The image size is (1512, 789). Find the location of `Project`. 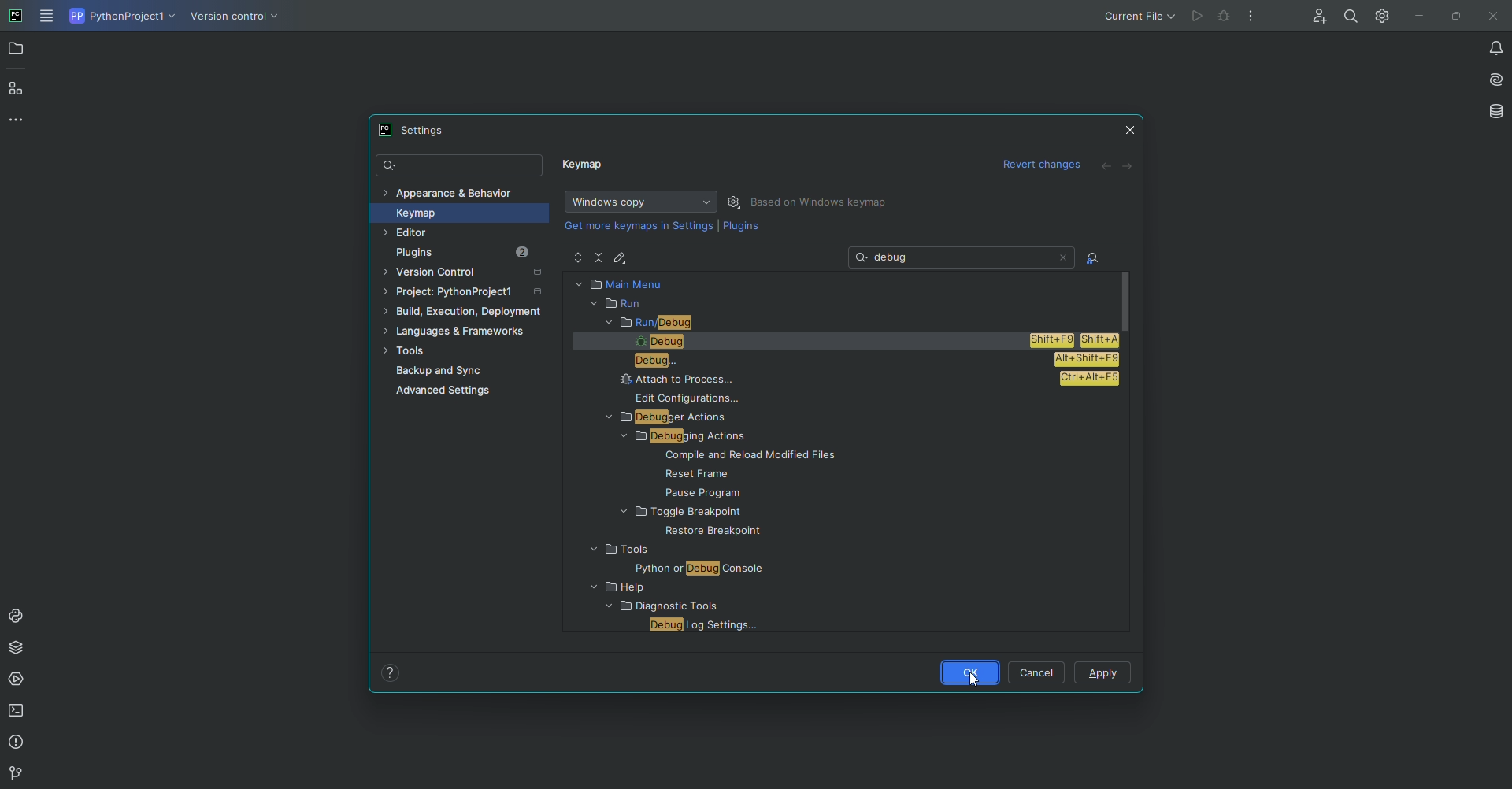

Project is located at coordinates (465, 294).